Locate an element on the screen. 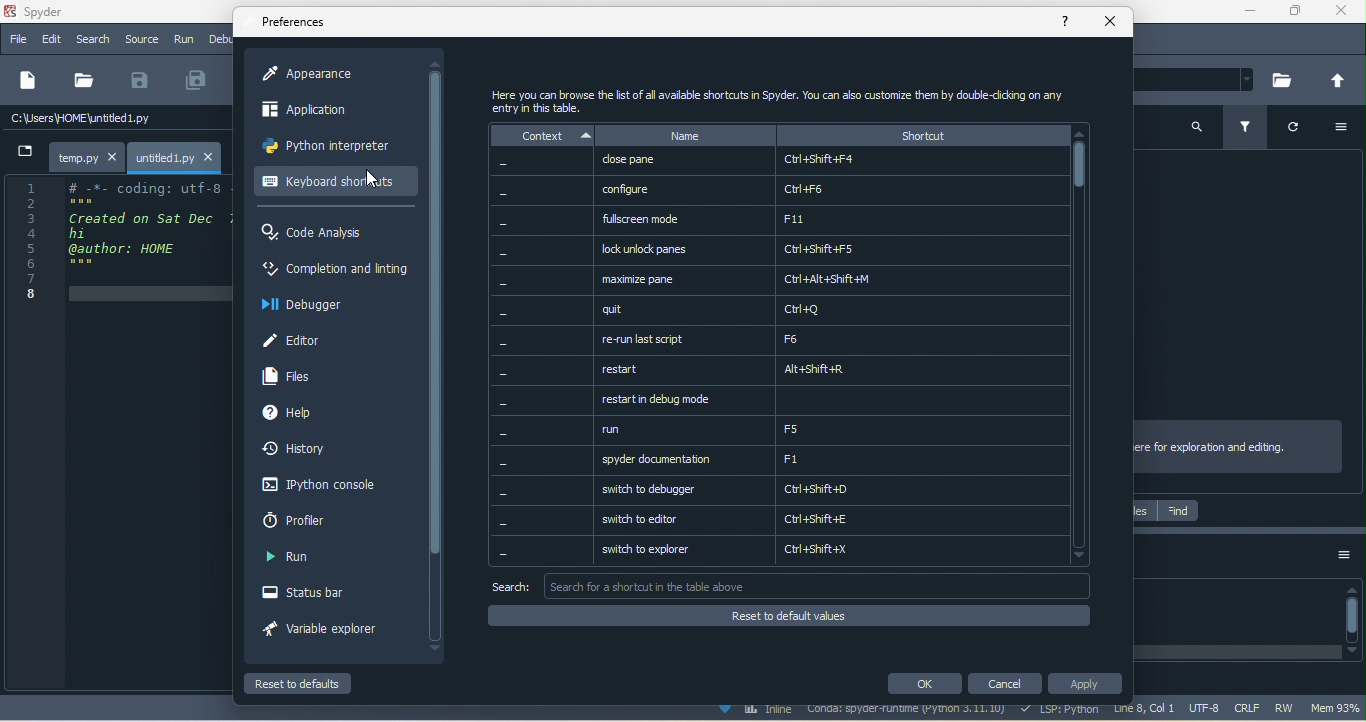 This screenshot has width=1366, height=722. shortcut is located at coordinates (919, 134).